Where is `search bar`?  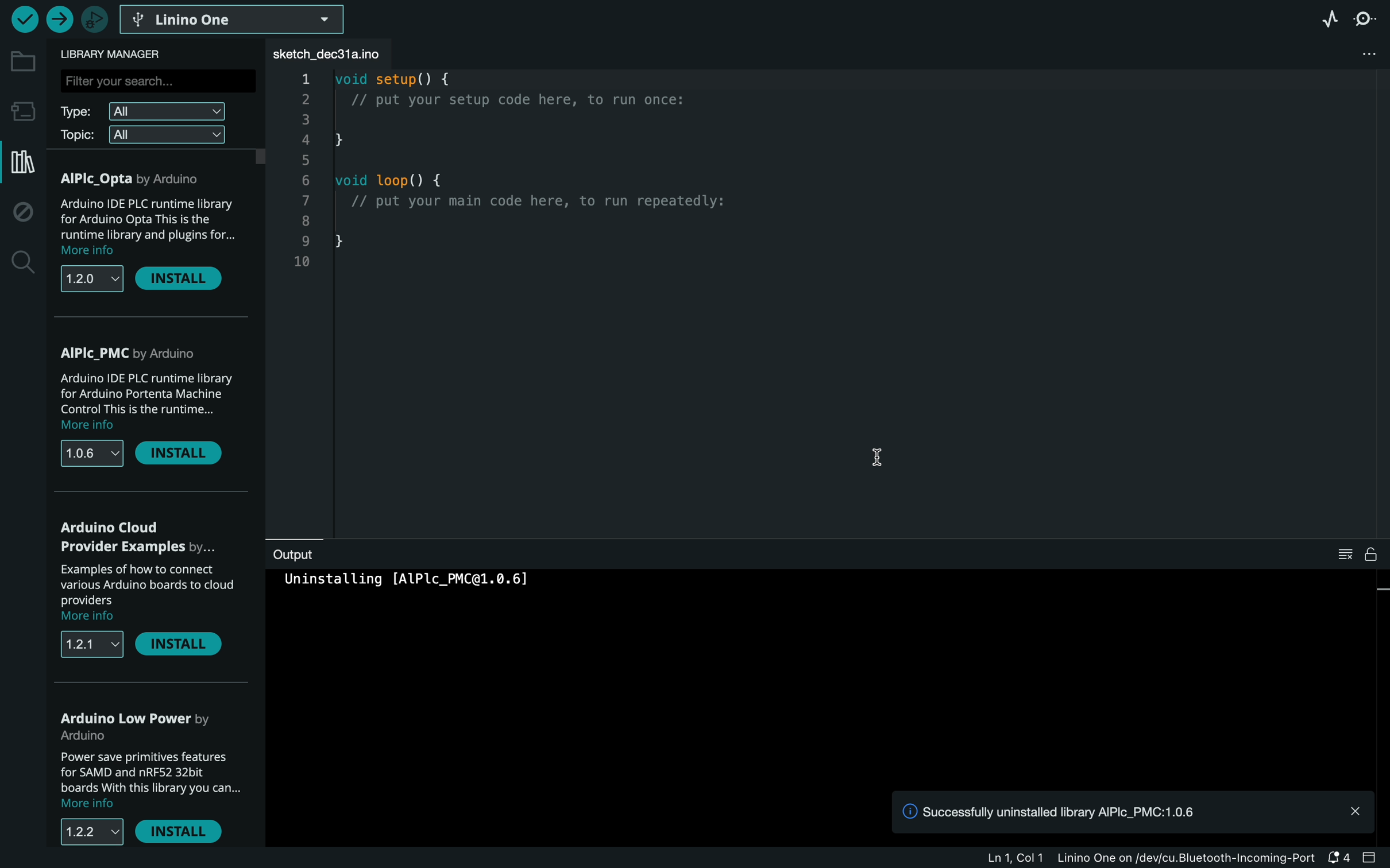
search bar is located at coordinates (156, 83).